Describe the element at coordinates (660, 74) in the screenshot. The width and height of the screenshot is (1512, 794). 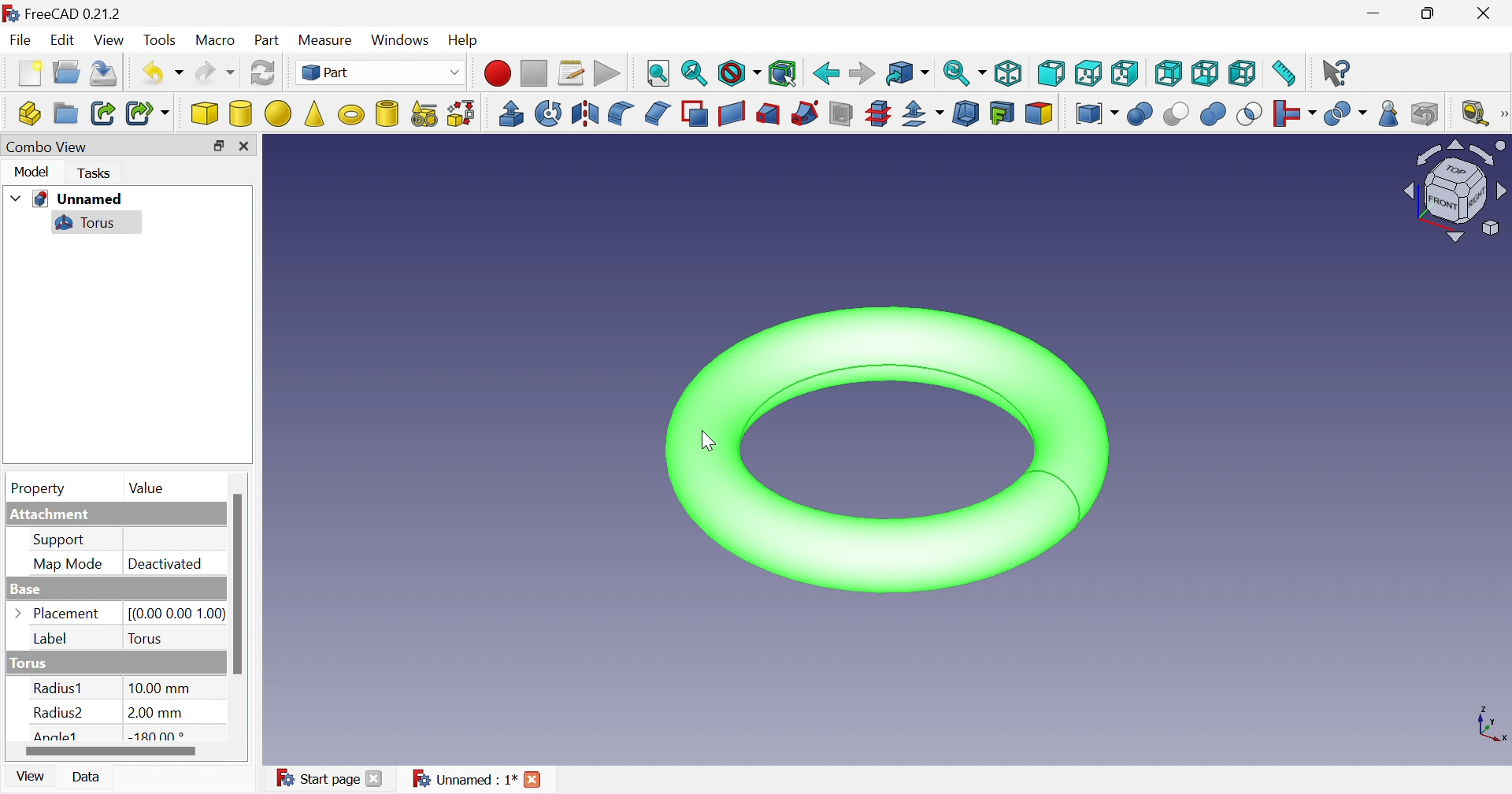
I see `Fit all` at that location.